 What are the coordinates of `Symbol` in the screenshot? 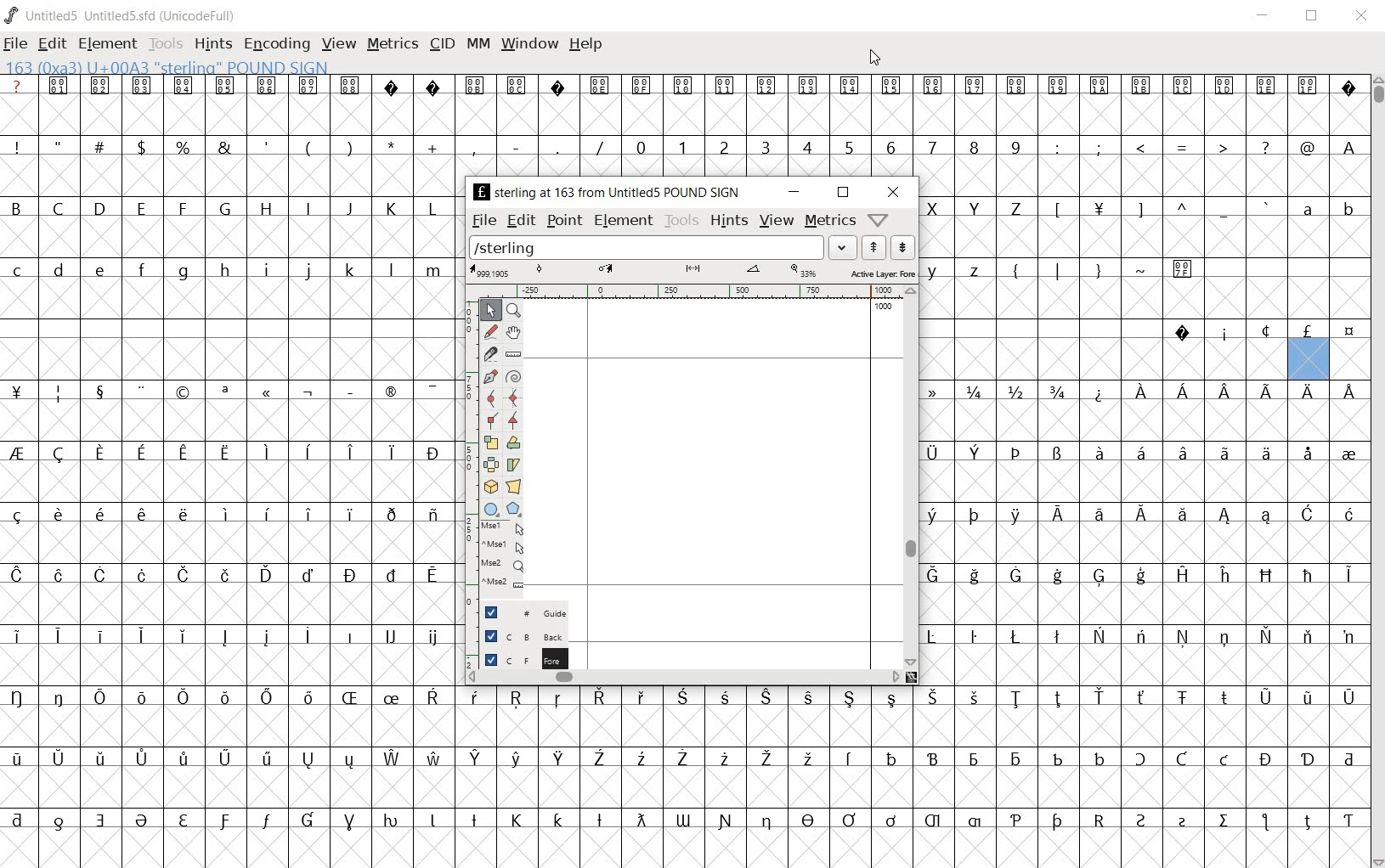 It's located at (1183, 332).